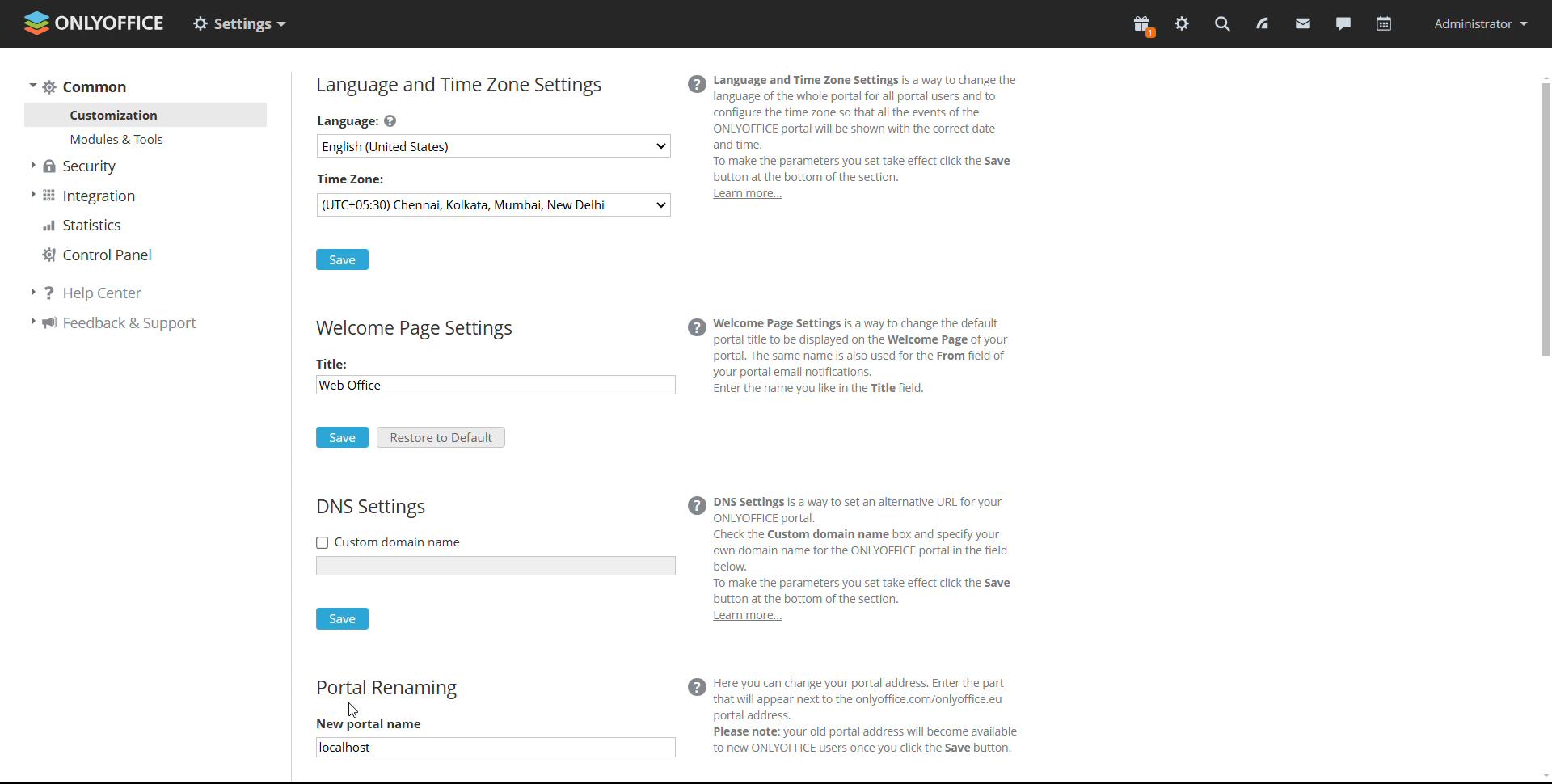 This screenshot has height=784, width=1552. I want to click on control panel, so click(97, 256).